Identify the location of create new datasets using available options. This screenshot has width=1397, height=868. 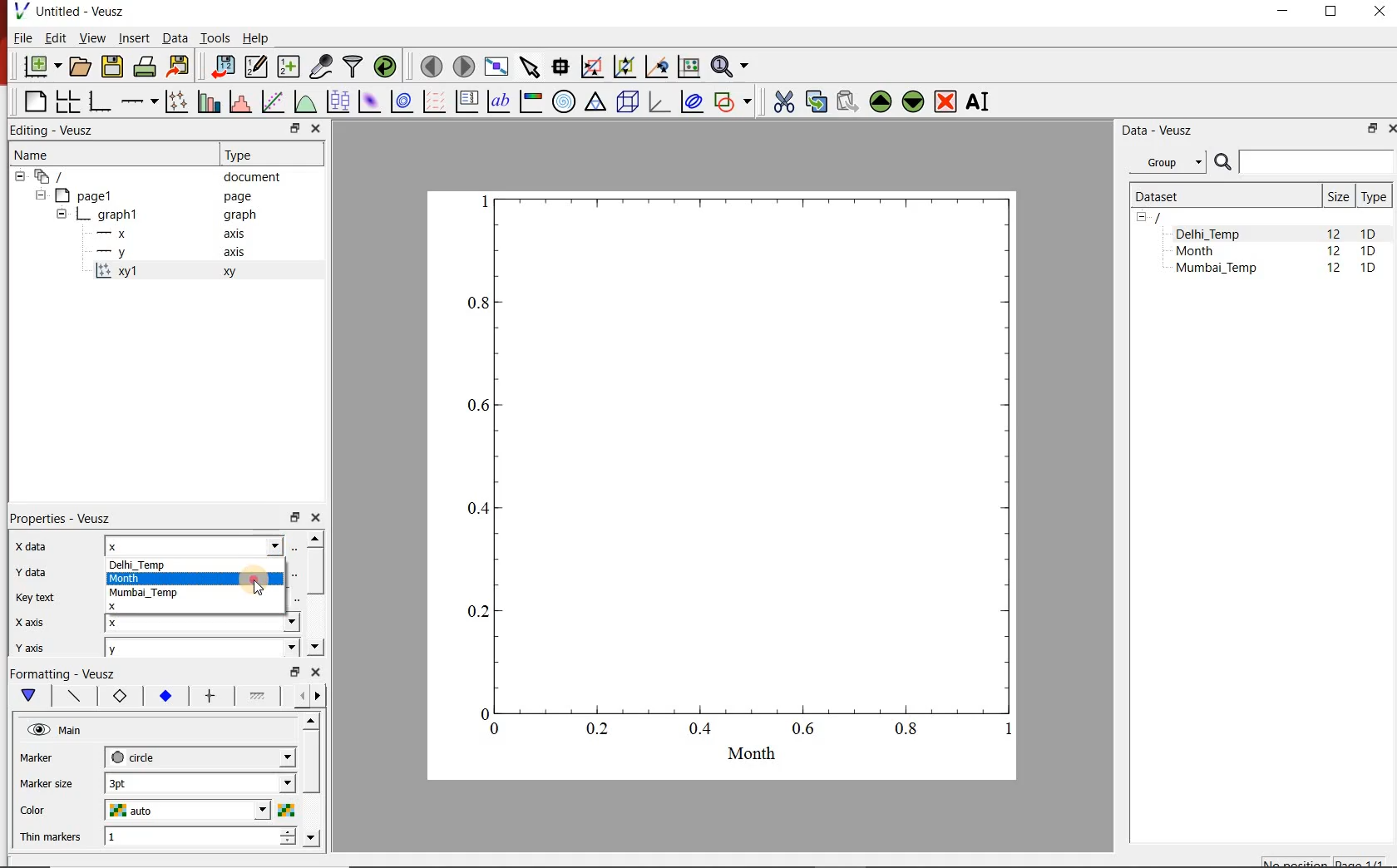
(289, 67).